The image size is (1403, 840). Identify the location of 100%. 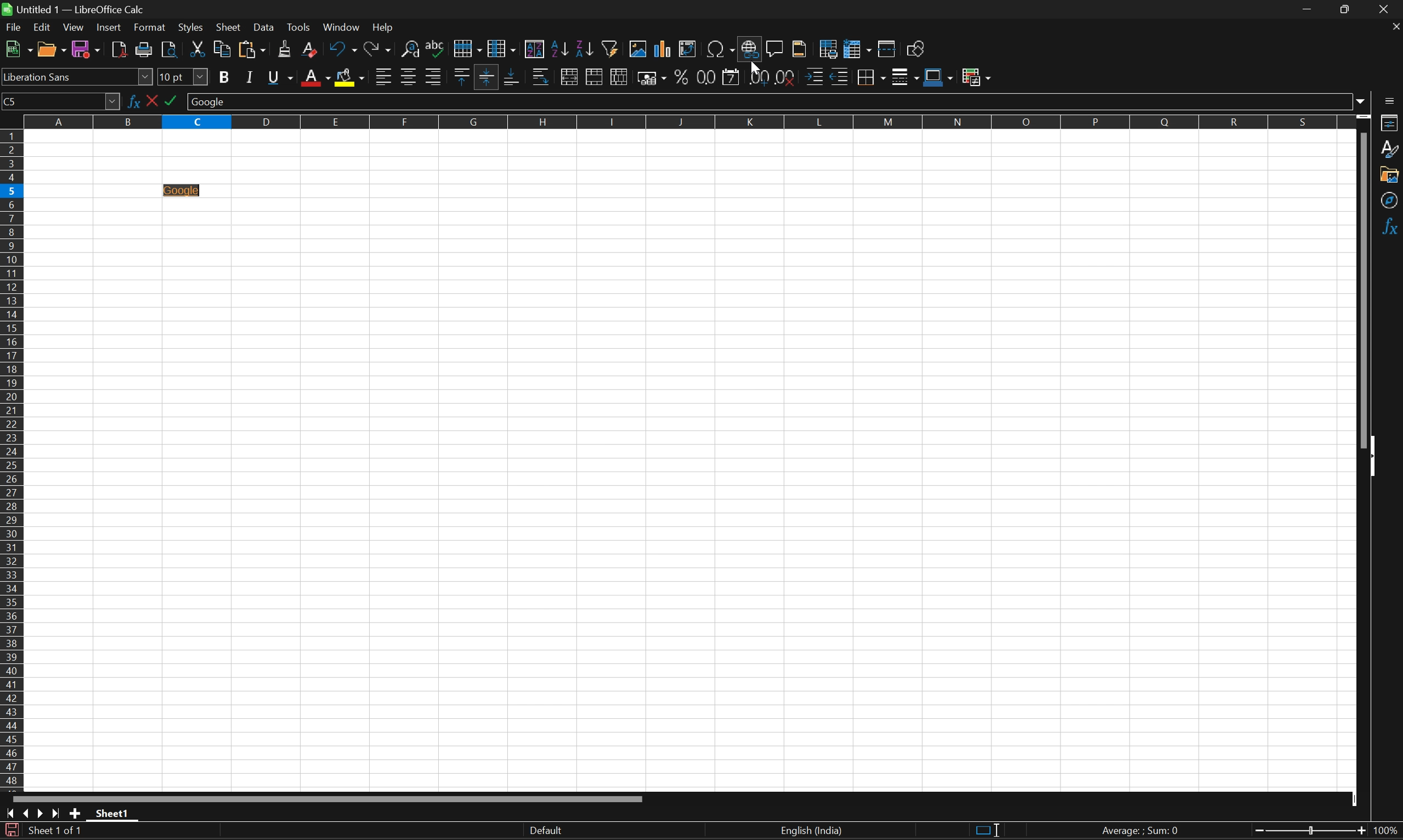
(1387, 831).